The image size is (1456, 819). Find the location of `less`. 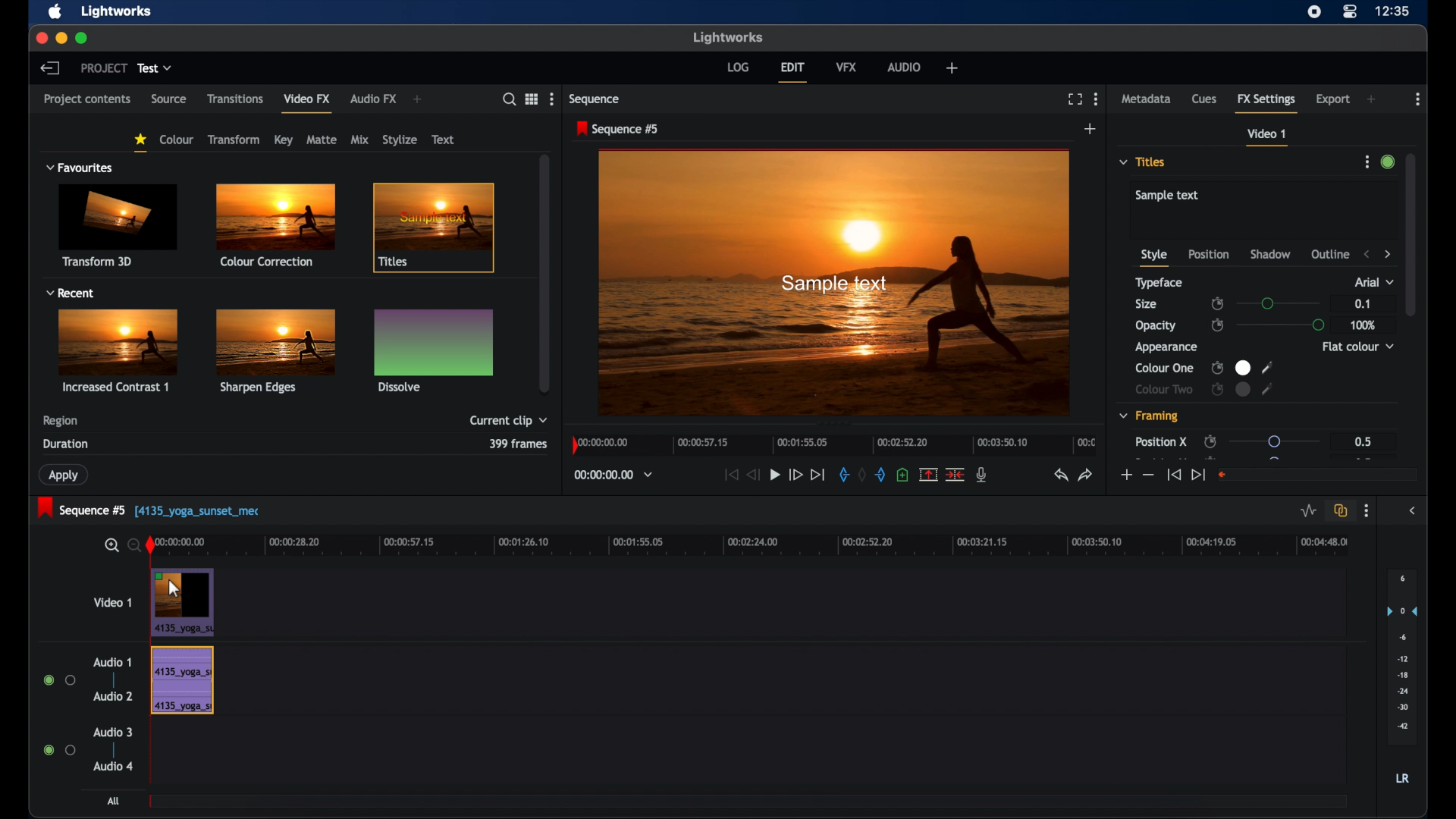

less is located at coordinates (1148, 477).